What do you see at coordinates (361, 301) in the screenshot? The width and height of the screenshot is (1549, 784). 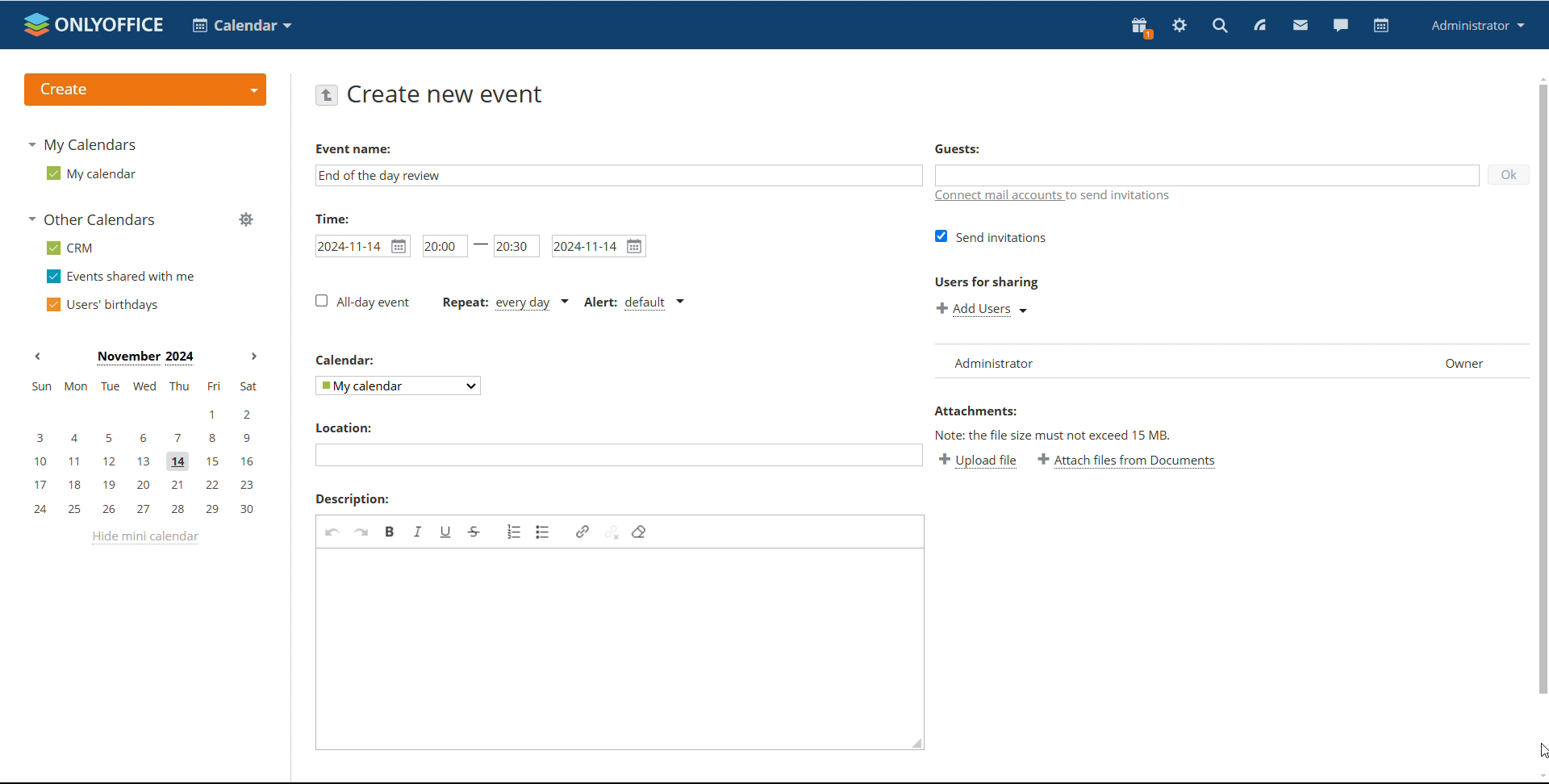 I see `all-day event unticked` at bounding box center [361, 301].